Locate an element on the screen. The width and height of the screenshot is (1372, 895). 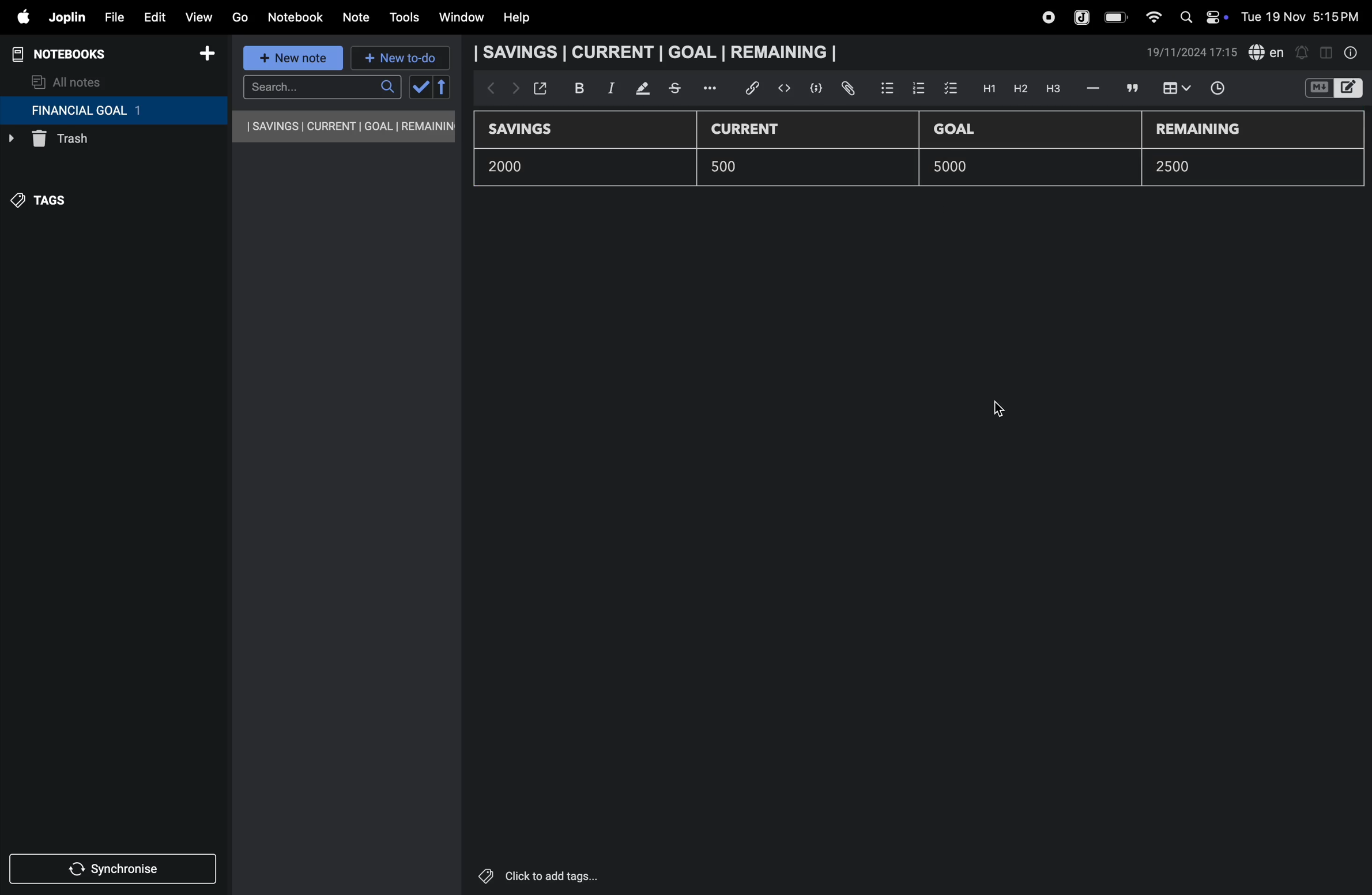
financial goal is located at coordinates (113, 111).